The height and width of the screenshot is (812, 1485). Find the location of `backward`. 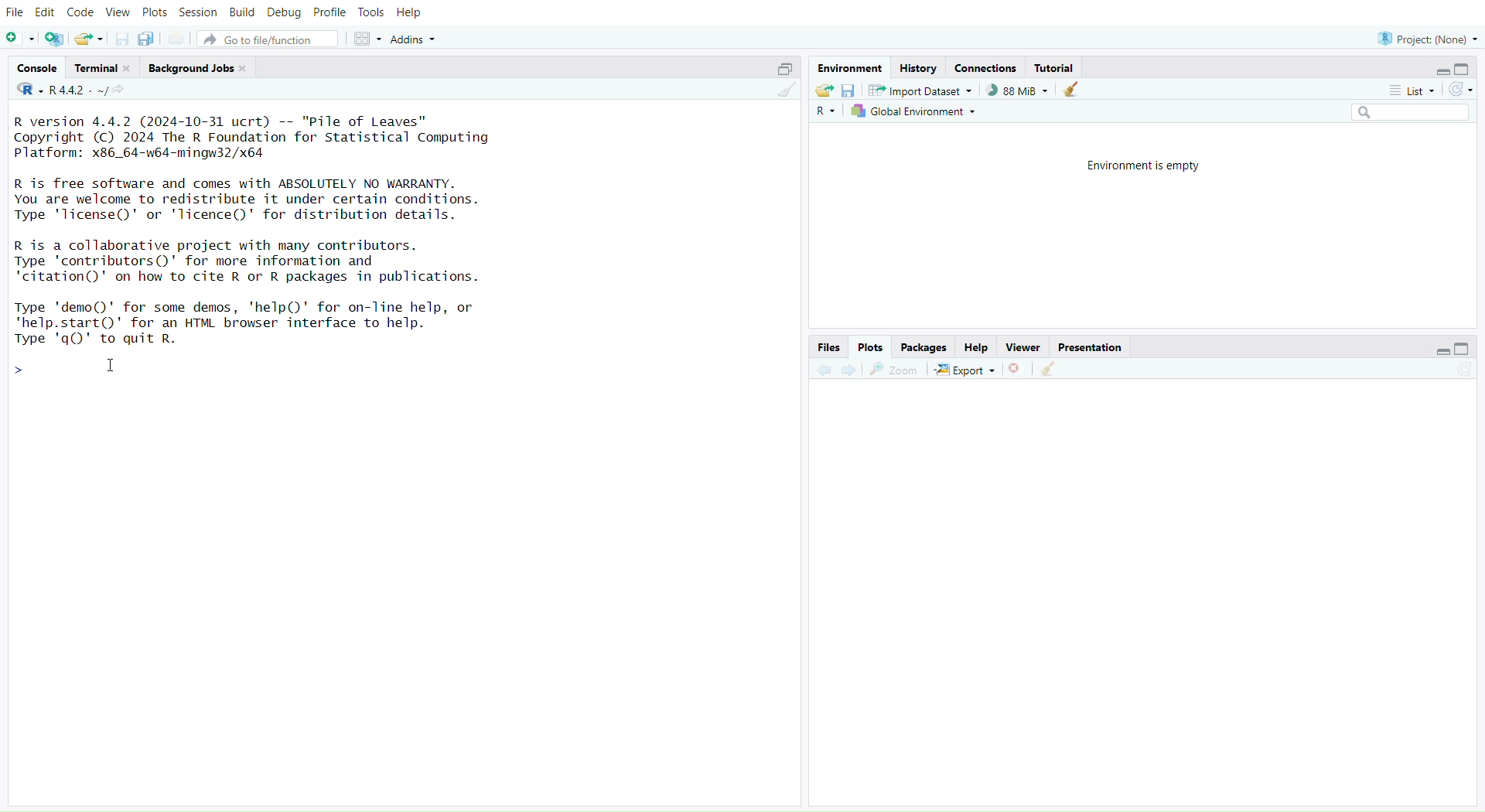

backward is located at coordinates (820, 370).